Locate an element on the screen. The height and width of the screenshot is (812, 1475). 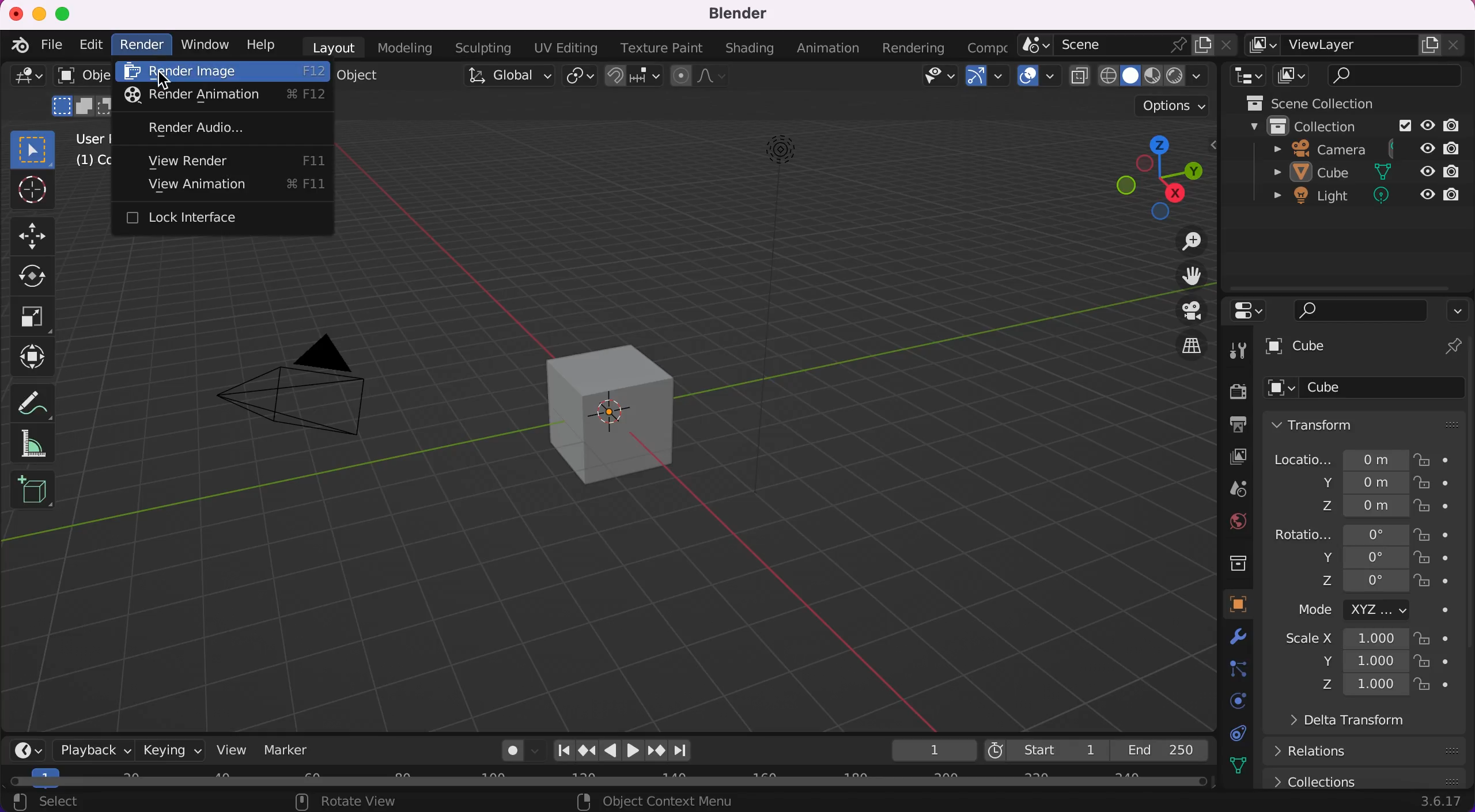
editor type is located at coordinates (1252, 313).